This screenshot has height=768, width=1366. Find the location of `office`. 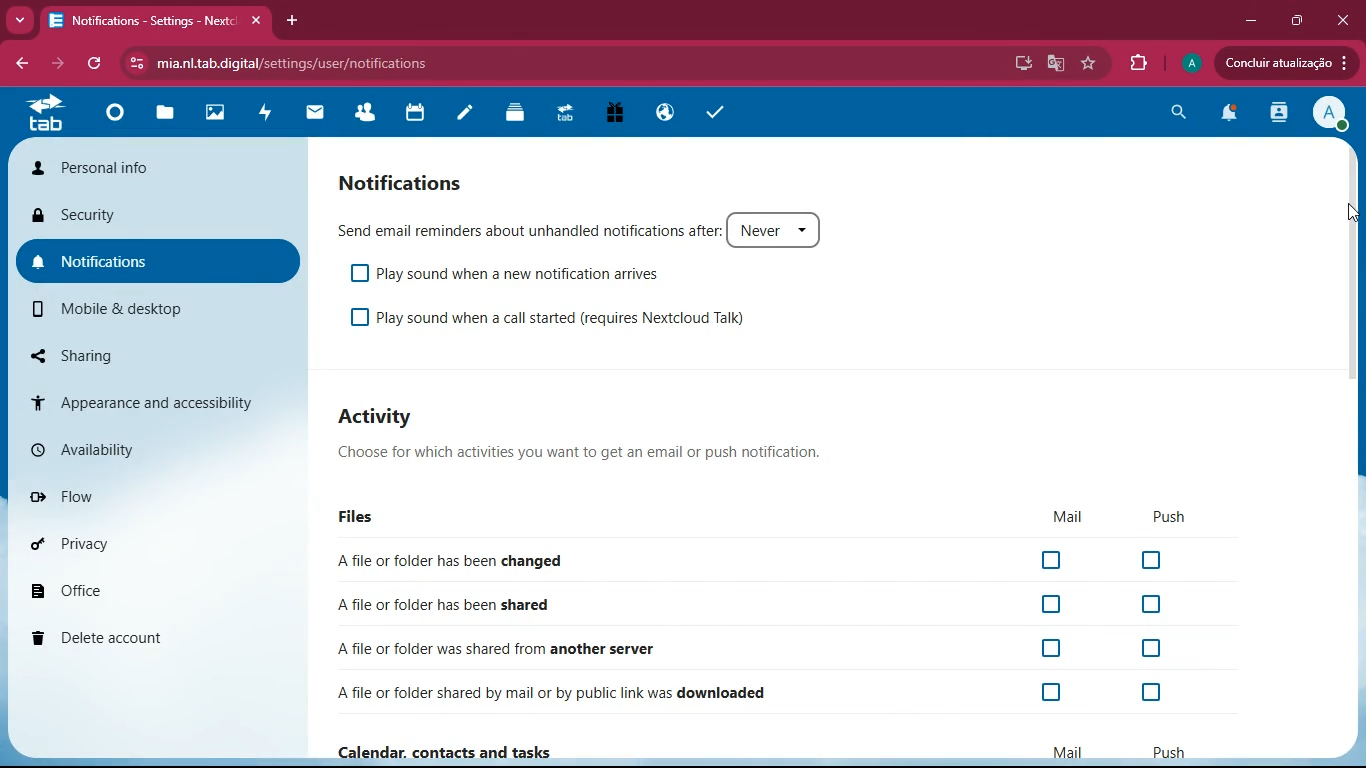

office is located at coordinates (165, 586).